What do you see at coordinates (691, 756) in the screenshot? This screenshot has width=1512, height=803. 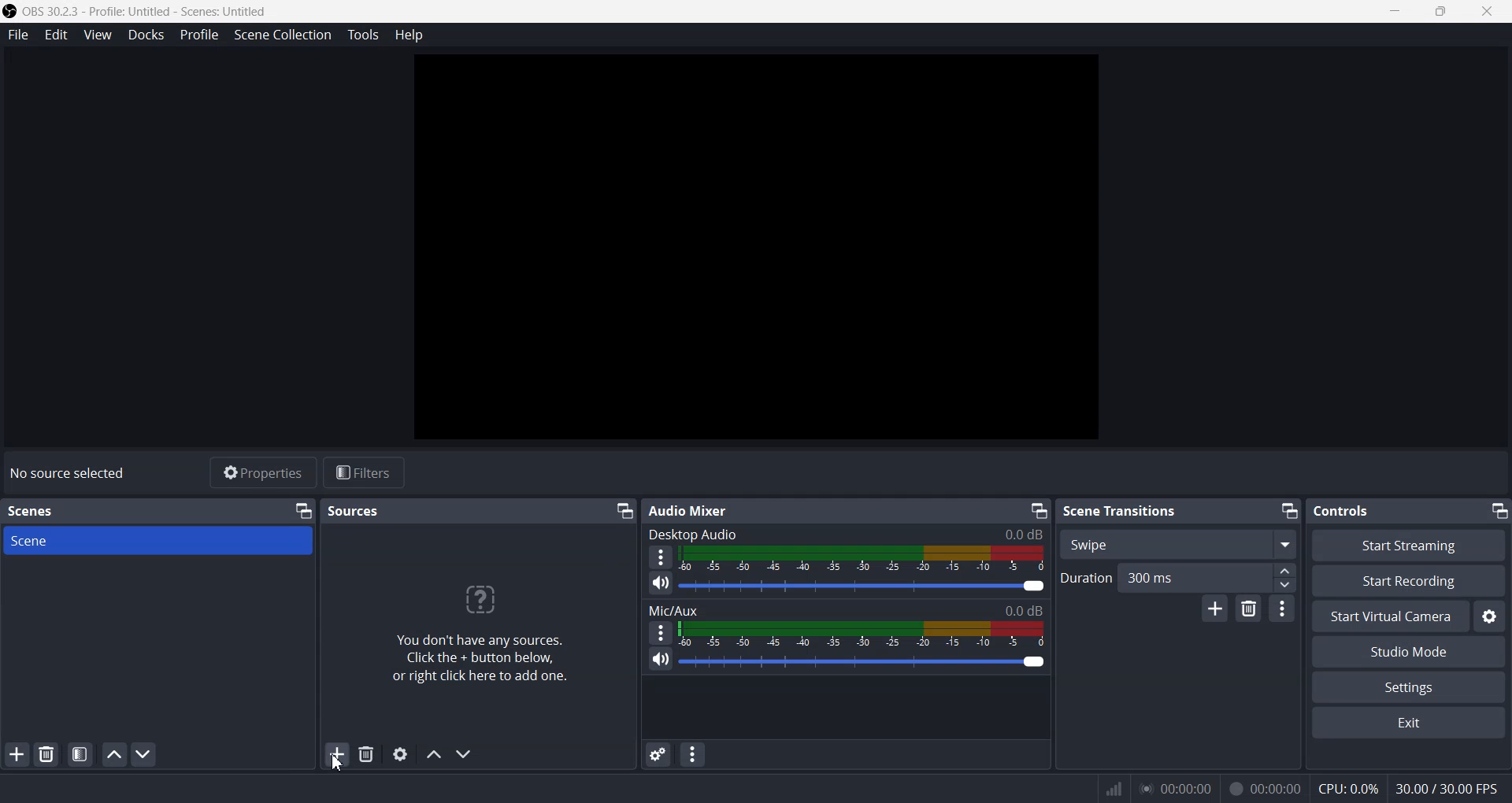 I see `Audio Mixer menu` at bounding box center [691, 756].